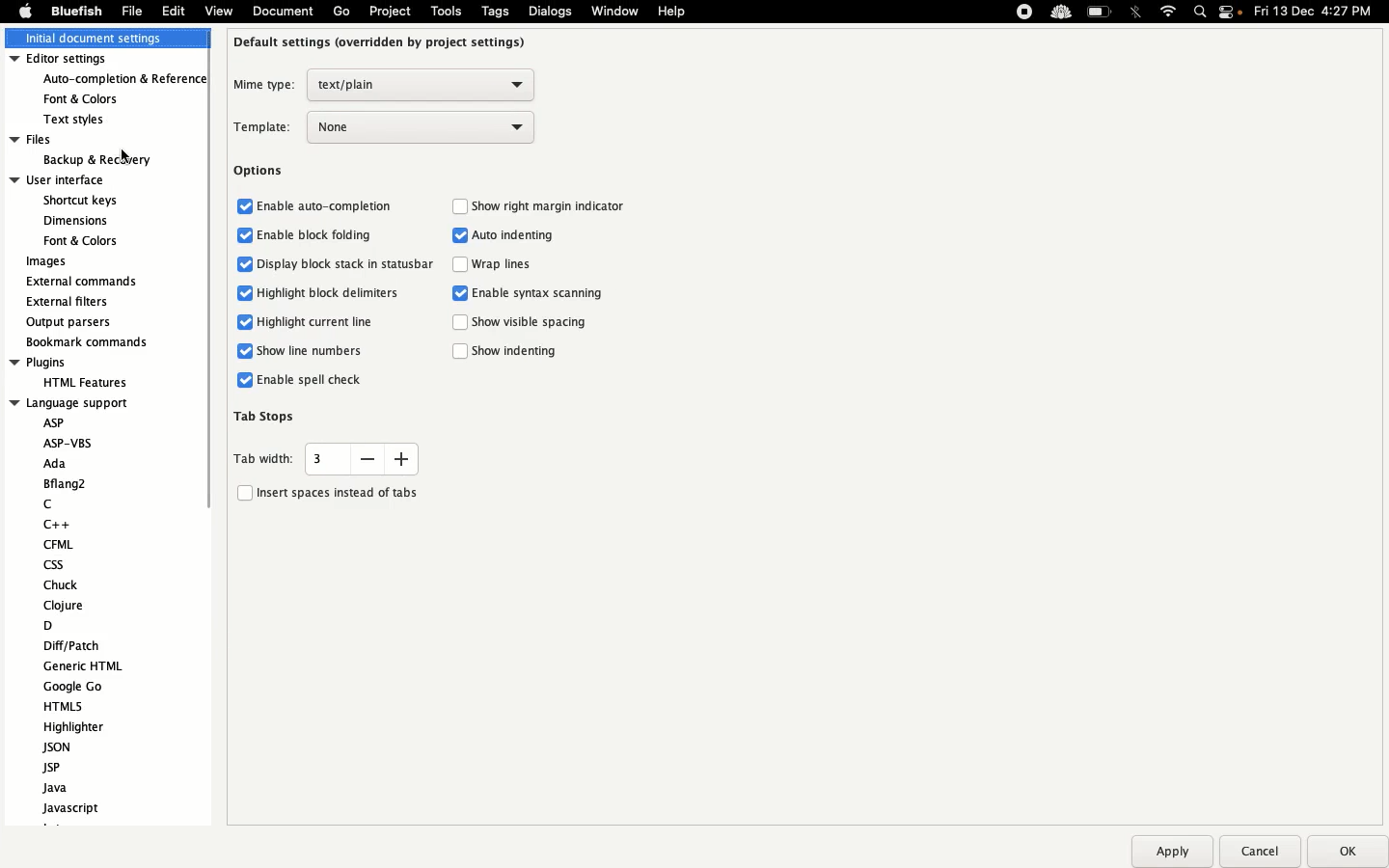 This screenshot has width=1389, height=868. Describe the element at coordinates (384, 128) in the screenshot. I see `Template` at that location.